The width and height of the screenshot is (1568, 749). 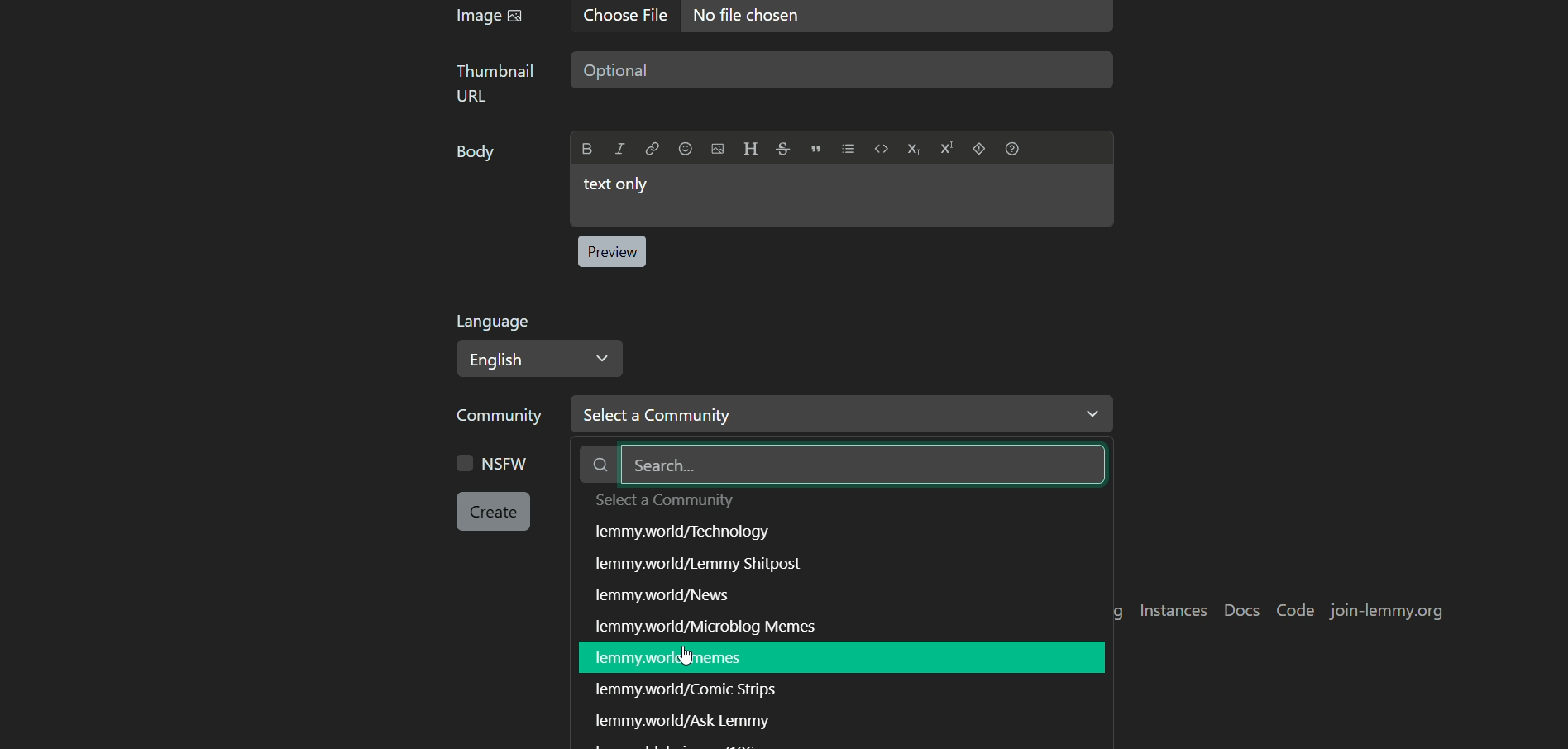 What do you see at coordinates (1298, 610) in the screenshot?
I see `code` at bounding box center [1298, 610].